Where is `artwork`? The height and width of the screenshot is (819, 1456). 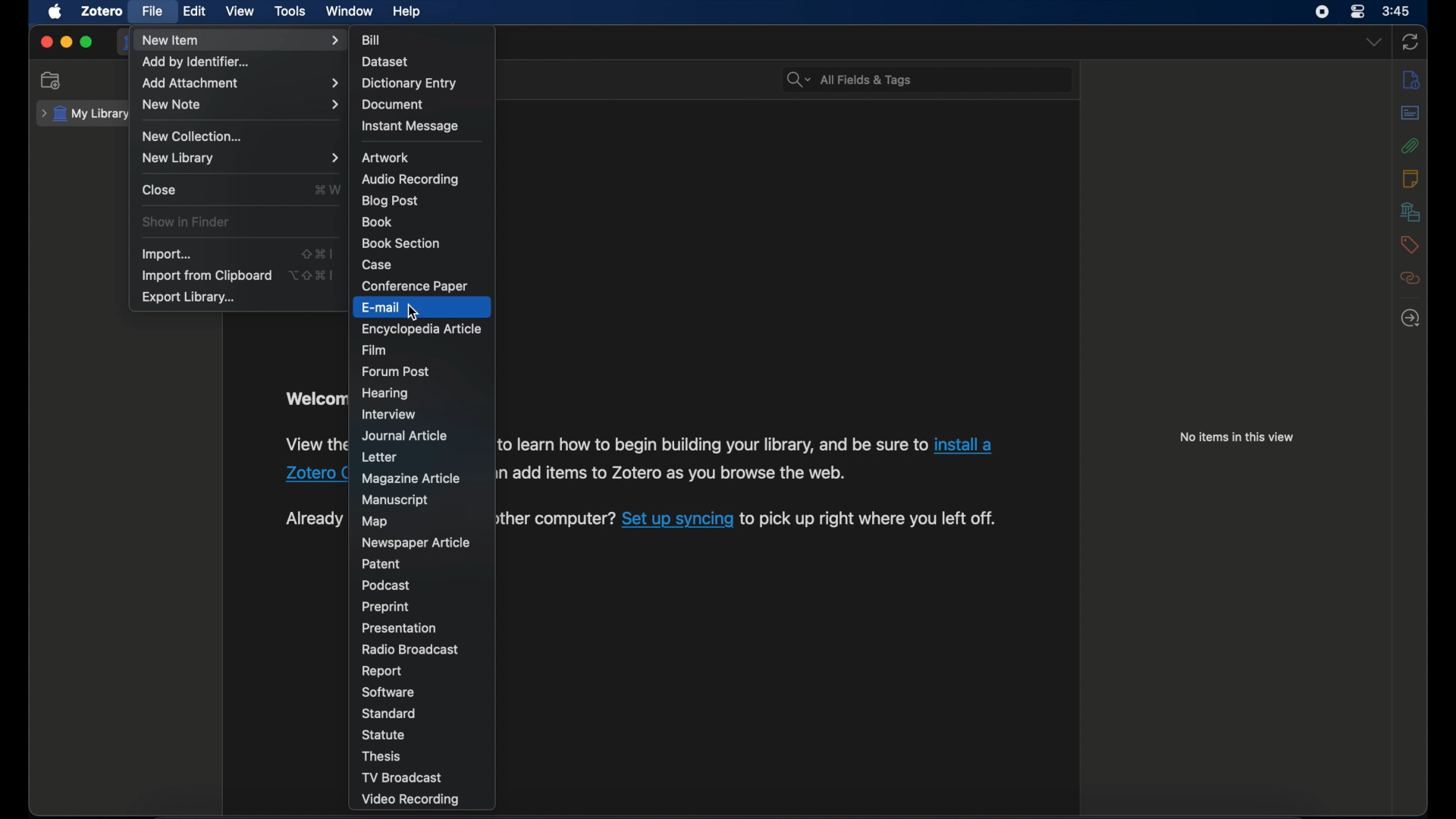 artwork is located at coordinates (387, 157).